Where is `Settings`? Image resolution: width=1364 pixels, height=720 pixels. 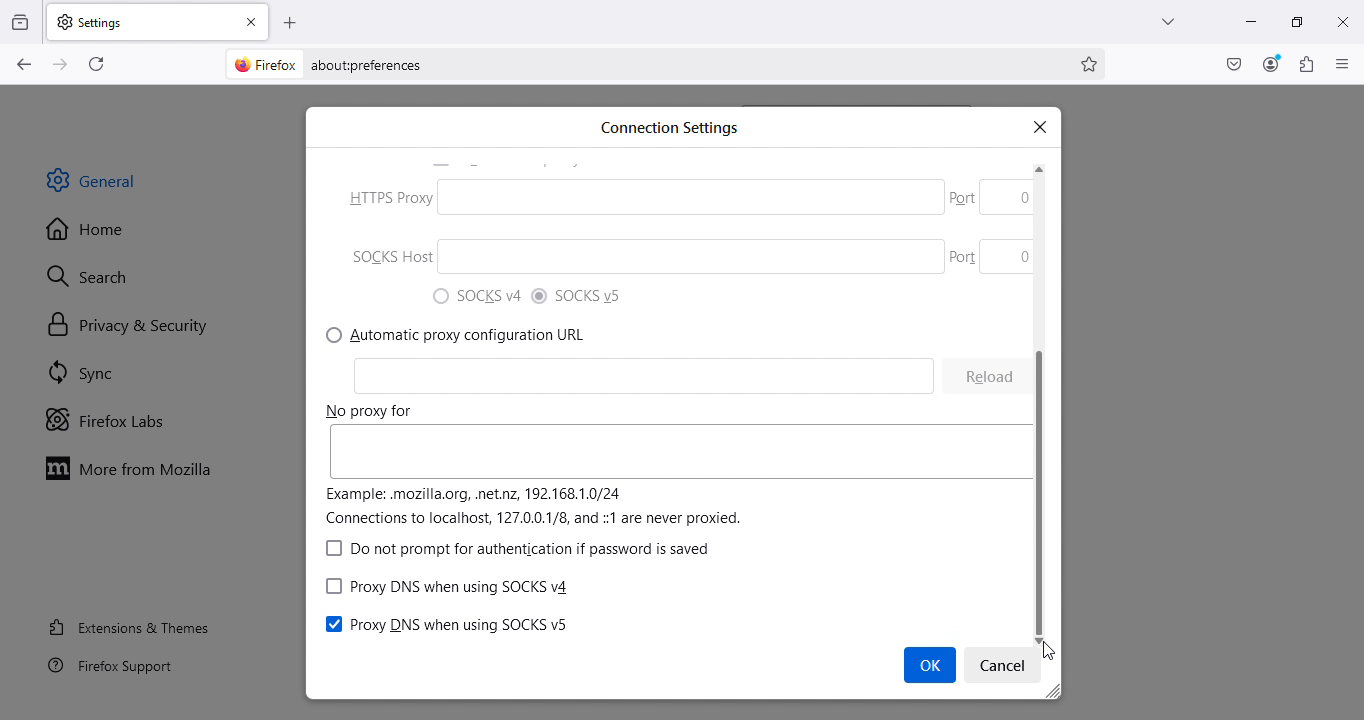
Settings is located at coordinates (142, 21).